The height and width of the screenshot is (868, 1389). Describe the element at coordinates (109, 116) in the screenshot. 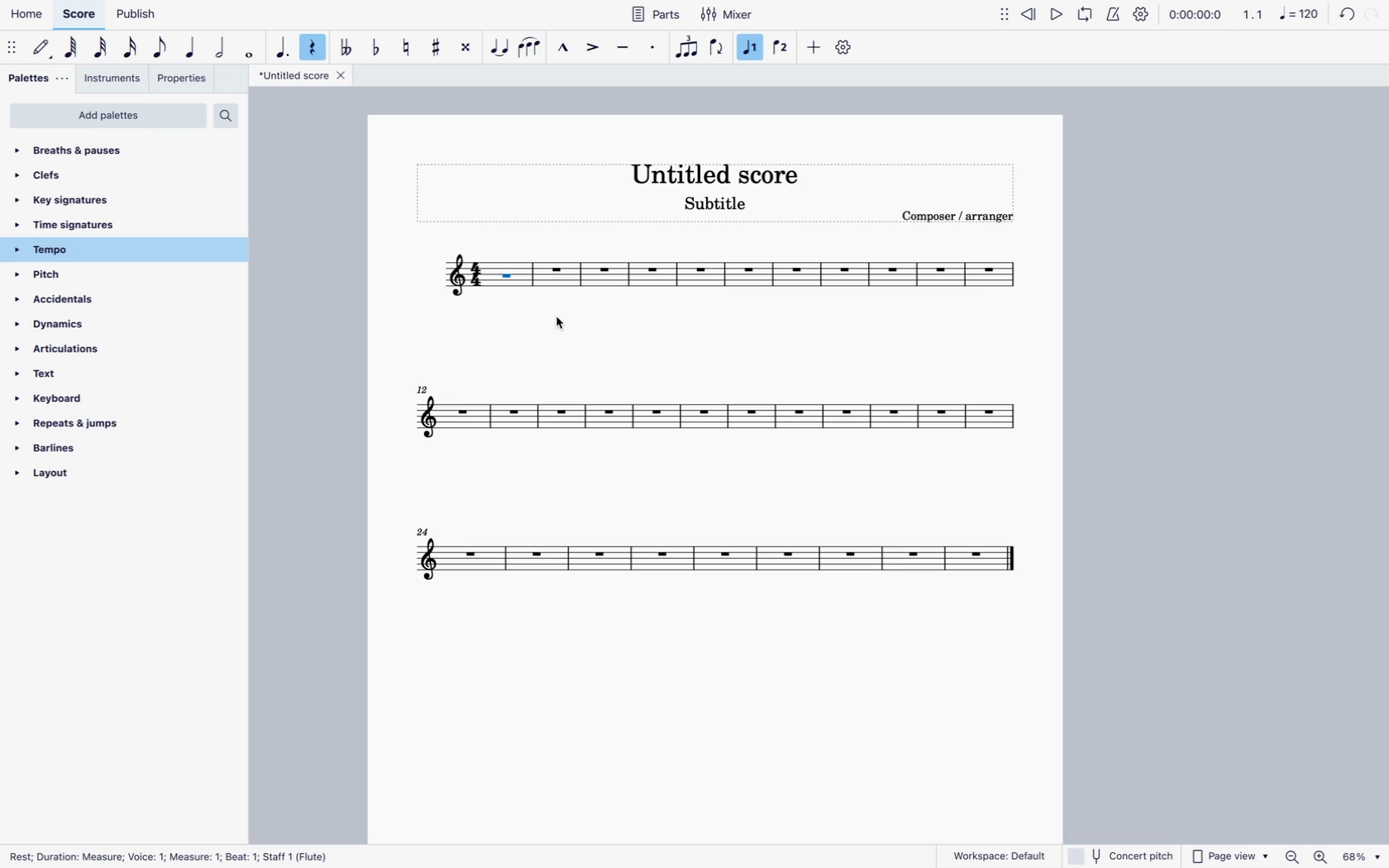

I see `add palettes` at that location.